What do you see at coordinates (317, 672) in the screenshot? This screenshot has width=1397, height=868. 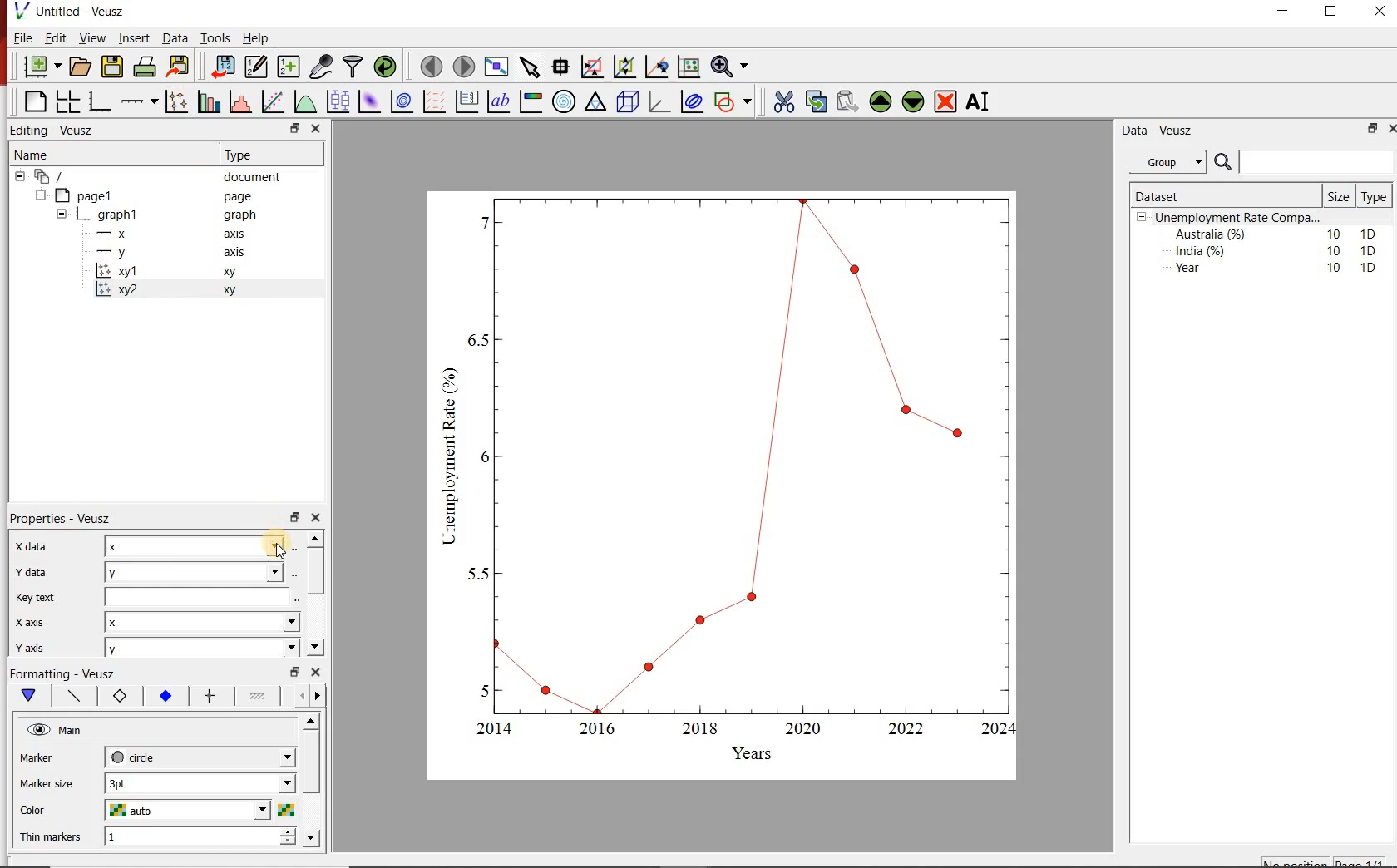 I see `close` at bounding box center [317, 672].